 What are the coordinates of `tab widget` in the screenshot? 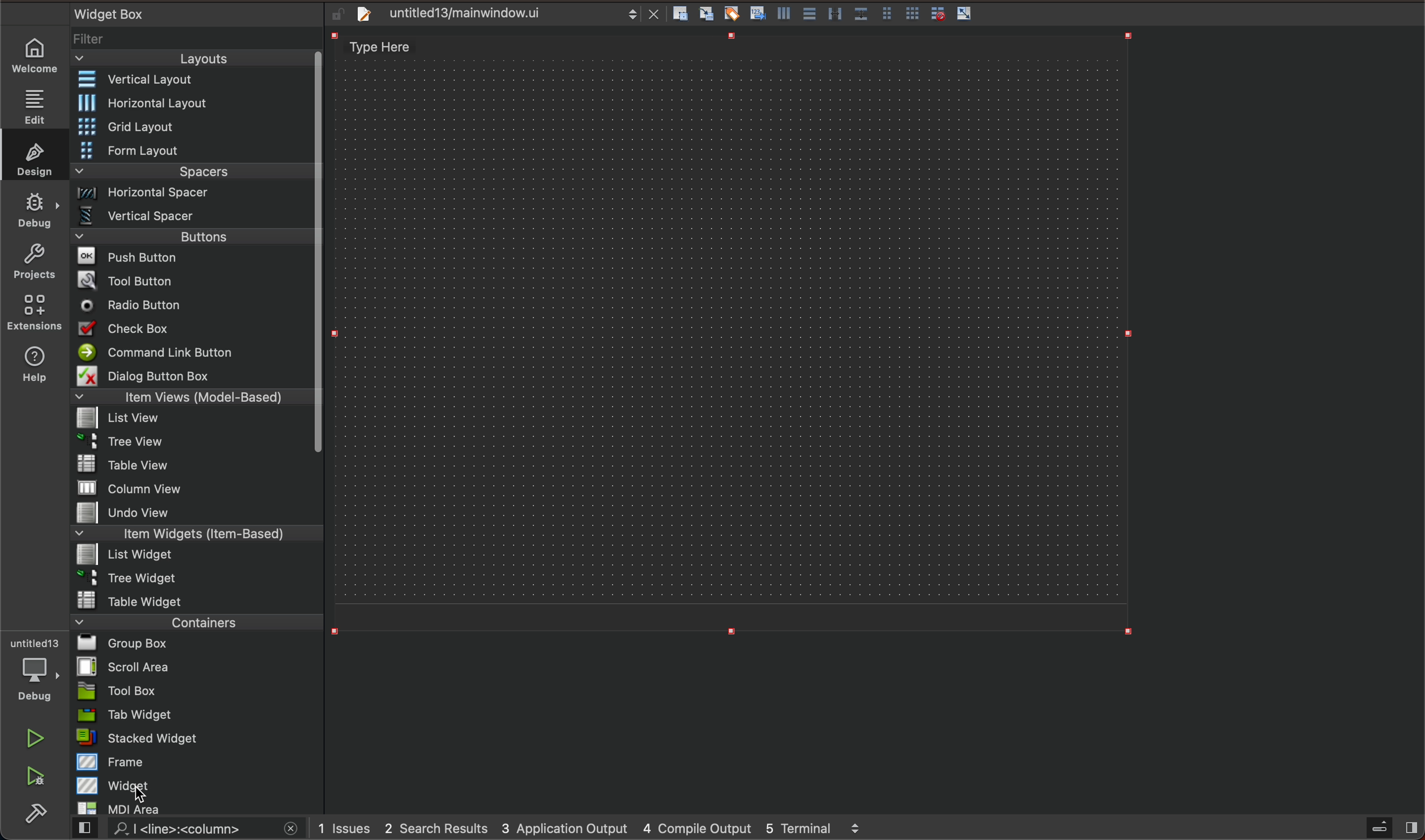 It's located at (194, 715).